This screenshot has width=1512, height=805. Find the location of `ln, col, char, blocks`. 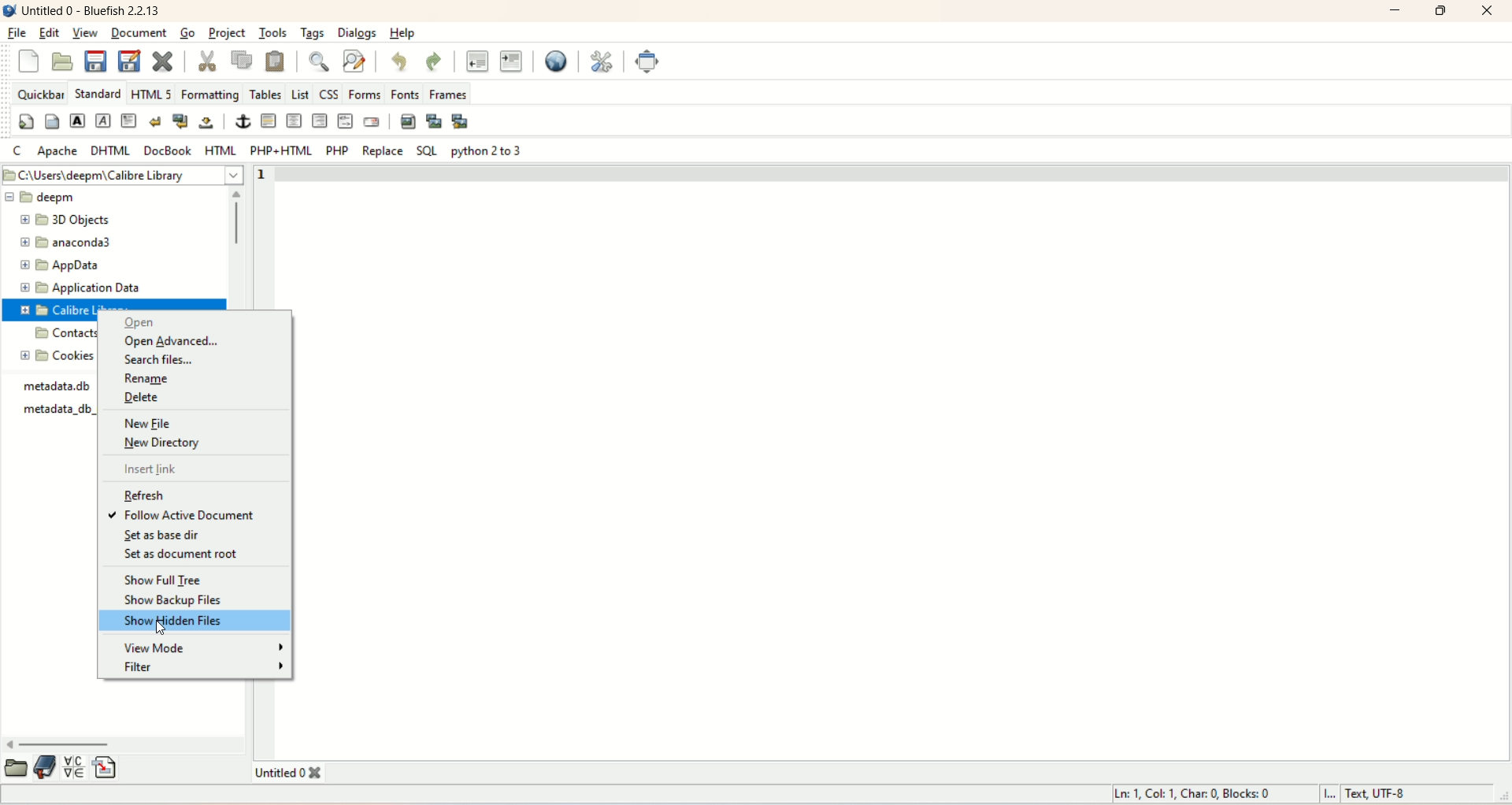

ln, col, char, blocks is located at coordinates (1193, 793).